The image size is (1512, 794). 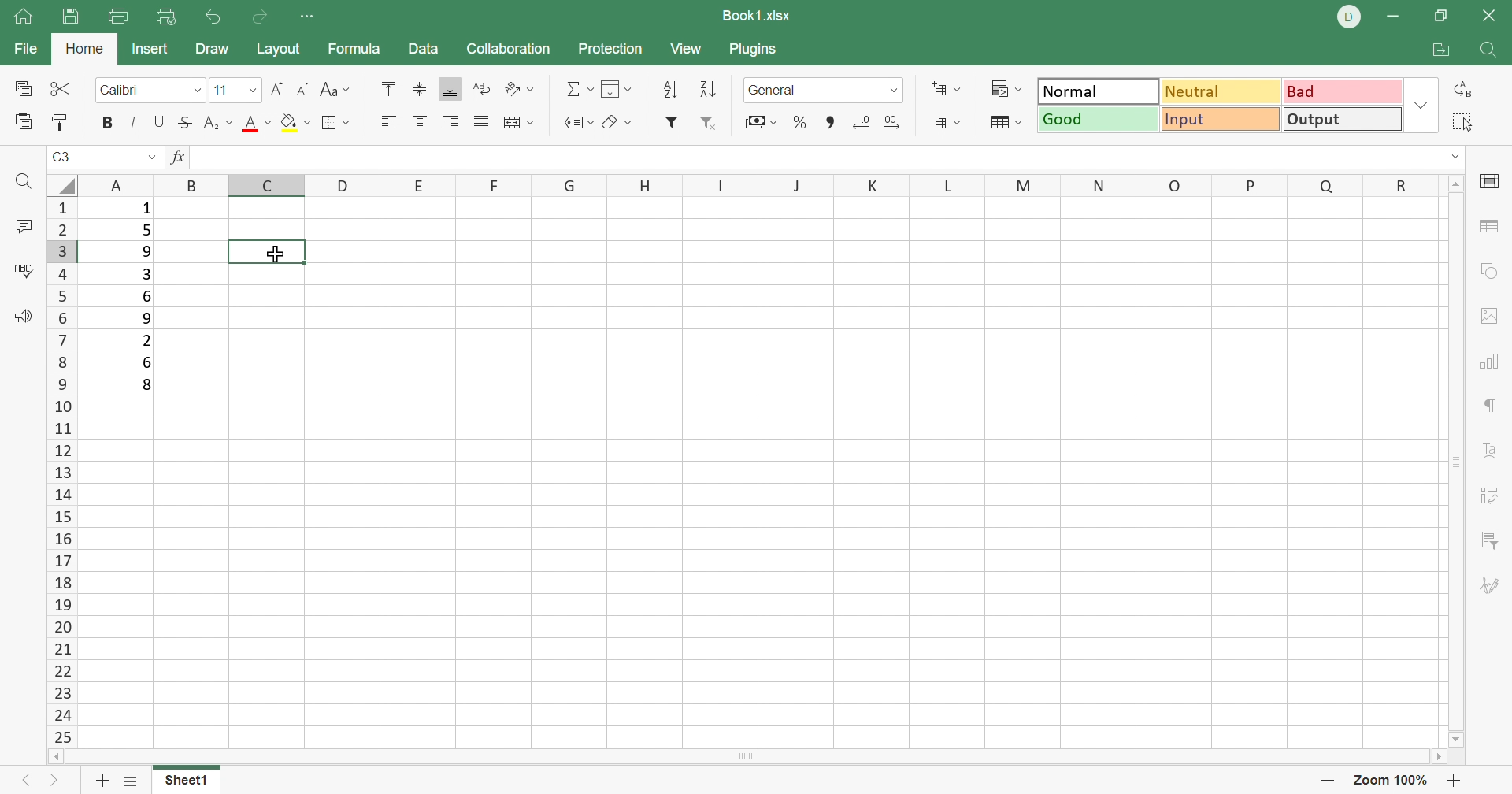 What do you see at coordinates (579, 88) in the screenshot?
I see `Summation` at bounding box center [579, 88].